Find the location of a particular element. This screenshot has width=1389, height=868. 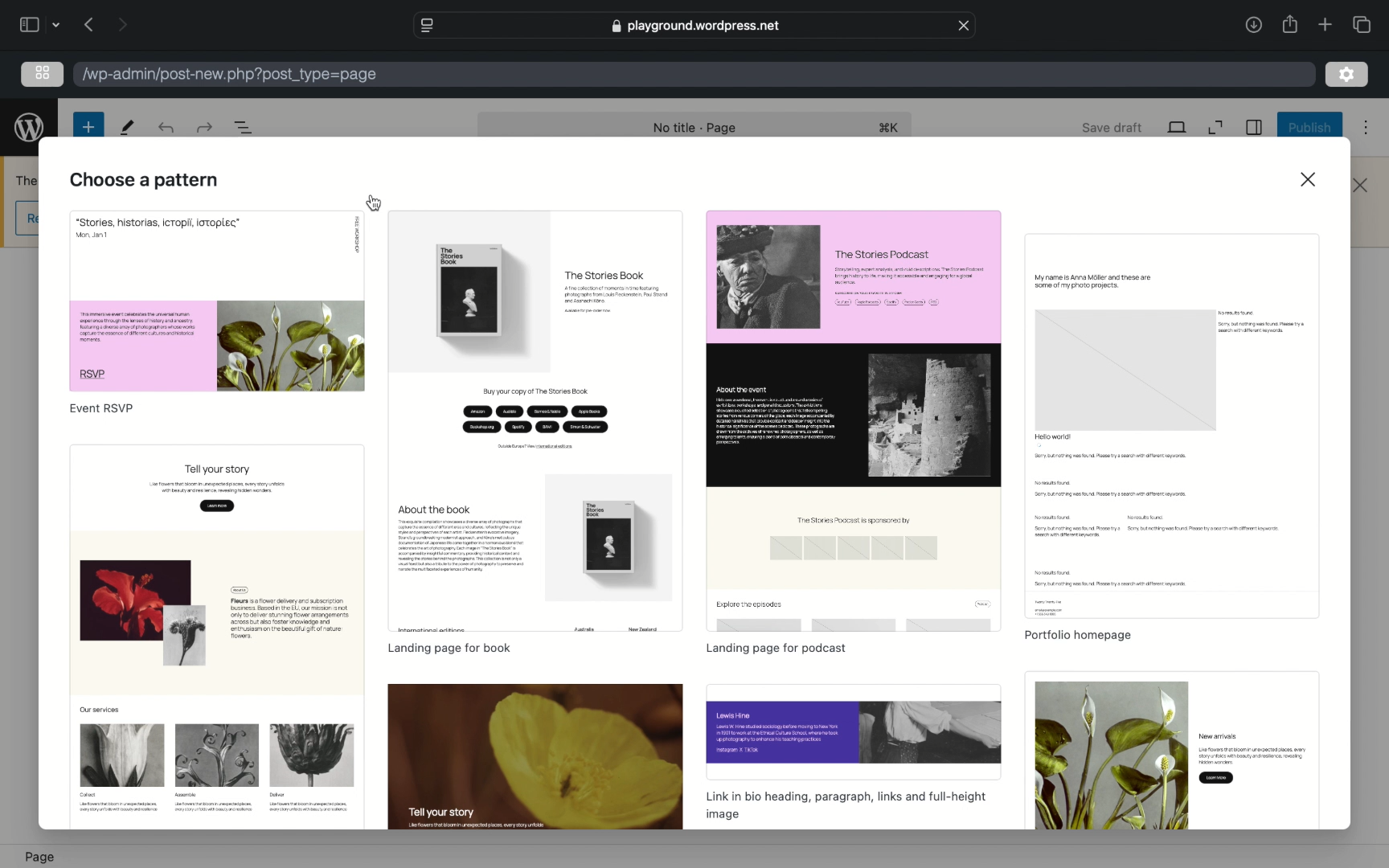

undo is located at coordinates (203, 127).